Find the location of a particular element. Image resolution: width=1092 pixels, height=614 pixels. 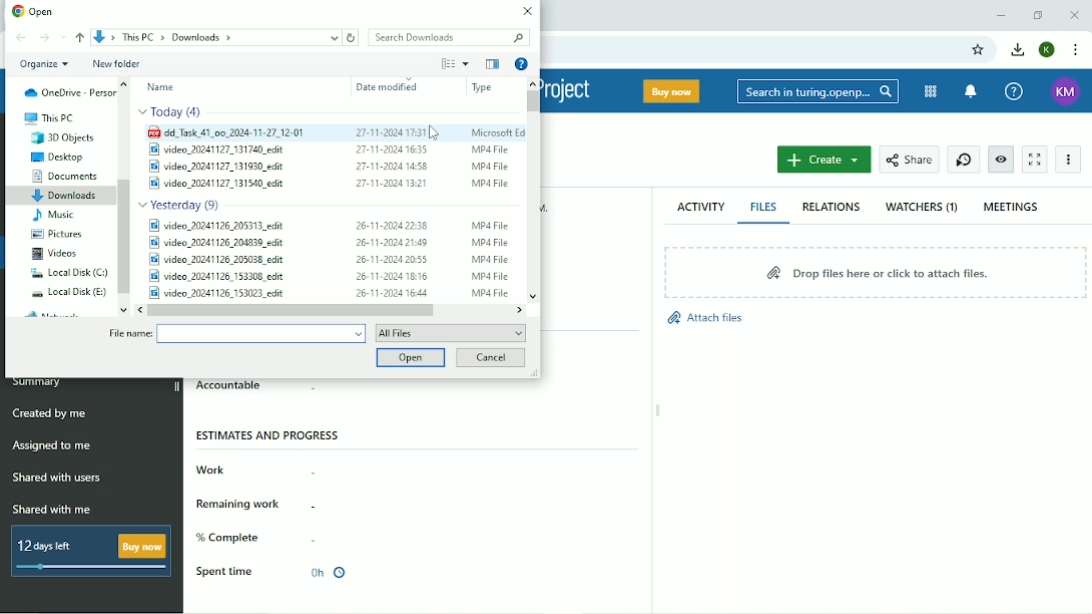

Create is located at coordinates (825, 159).